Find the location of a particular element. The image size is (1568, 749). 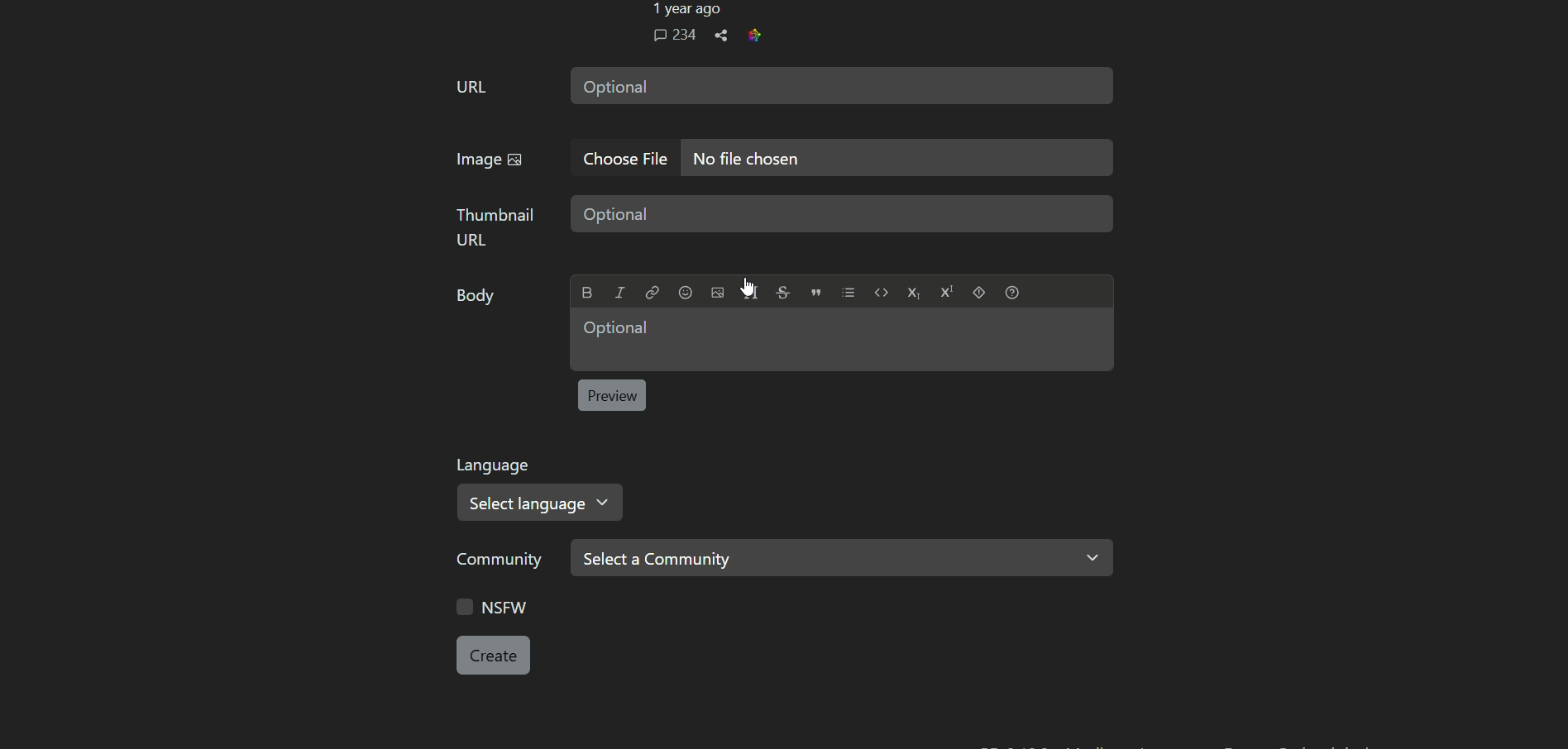

Comments is located at coordinates (674, 35).